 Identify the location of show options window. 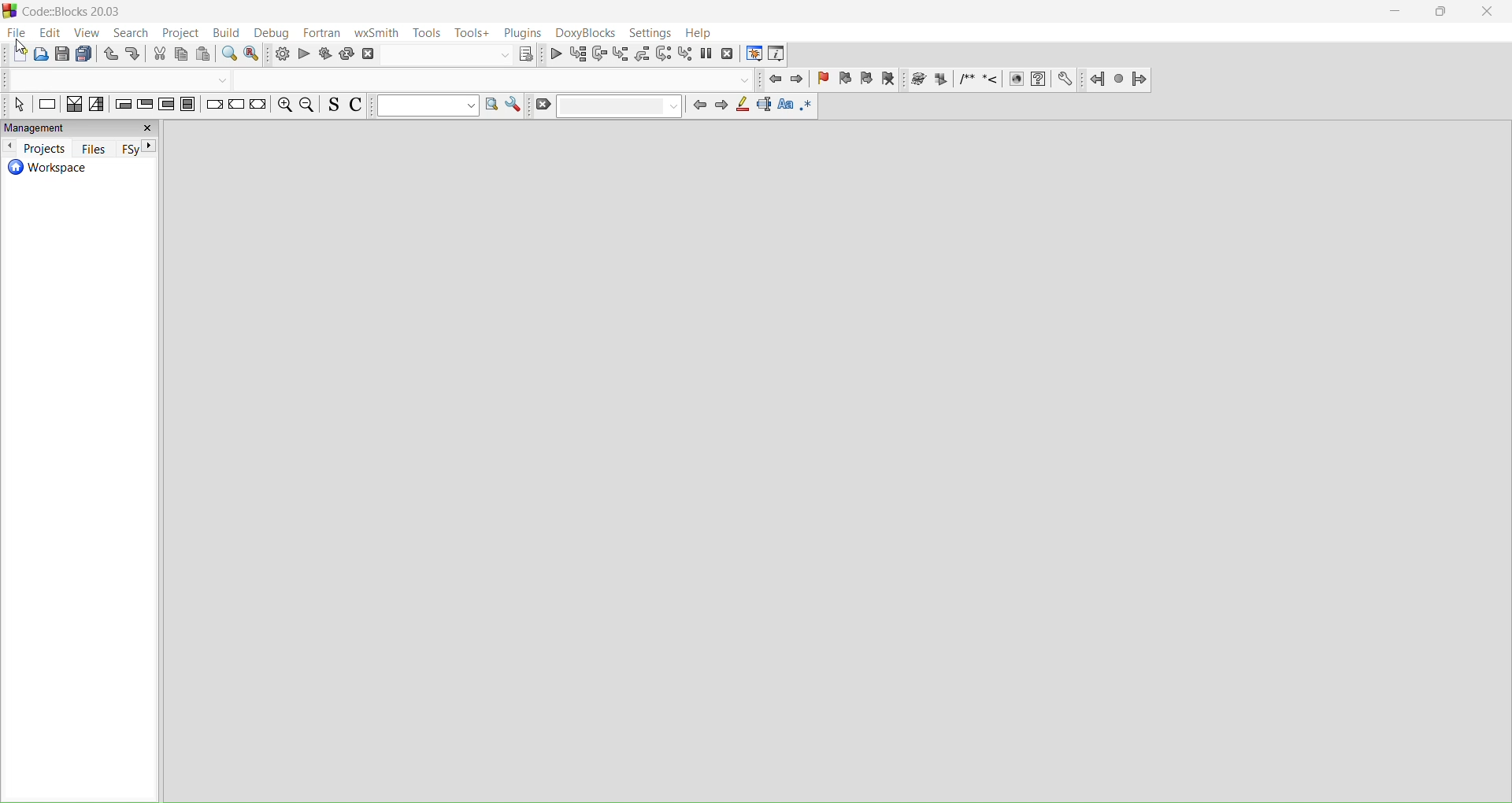
(514, 105).